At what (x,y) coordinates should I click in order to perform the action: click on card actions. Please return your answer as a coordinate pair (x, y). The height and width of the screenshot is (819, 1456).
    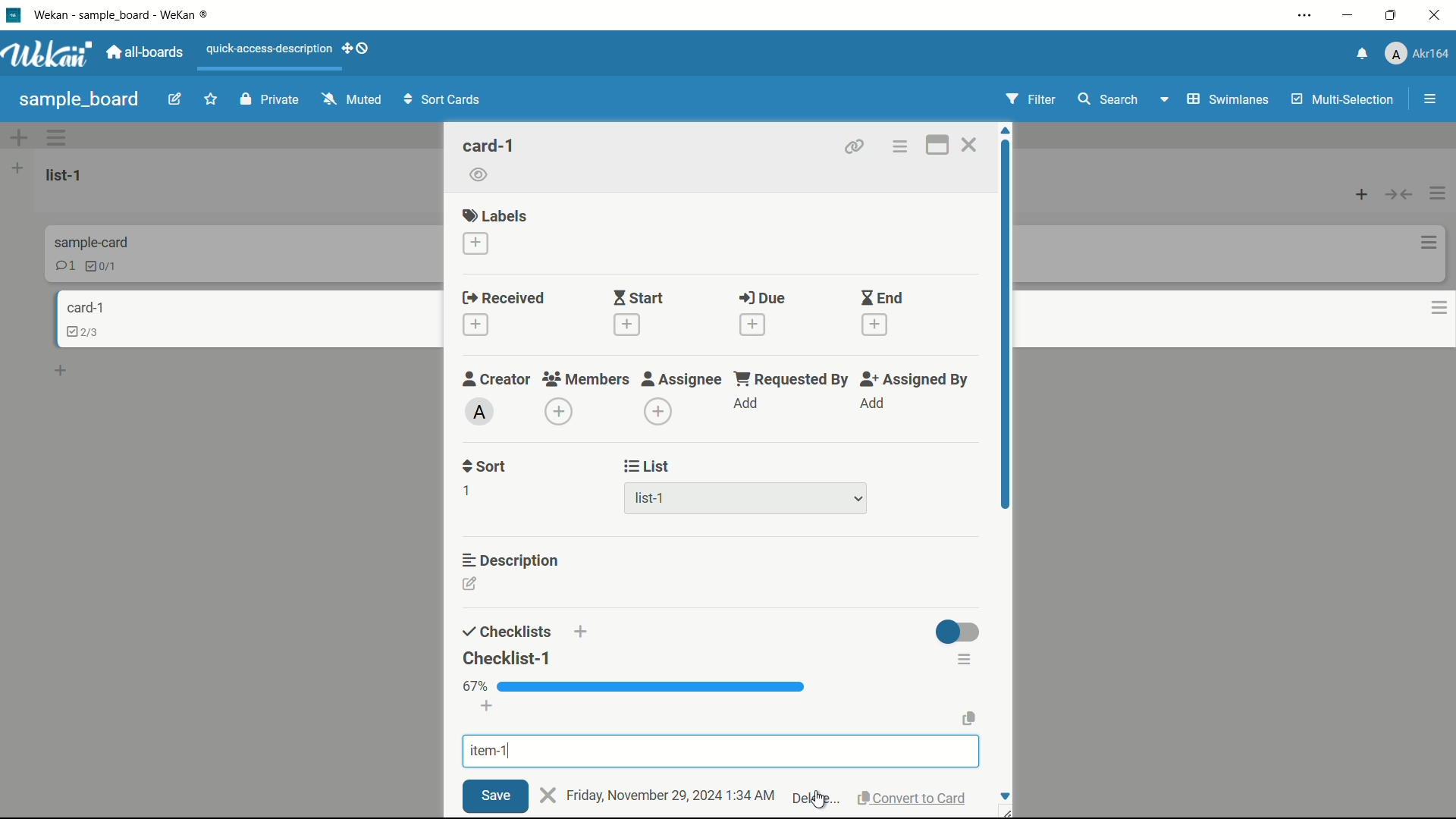
    Looking at the image, I should click on (900, 147).